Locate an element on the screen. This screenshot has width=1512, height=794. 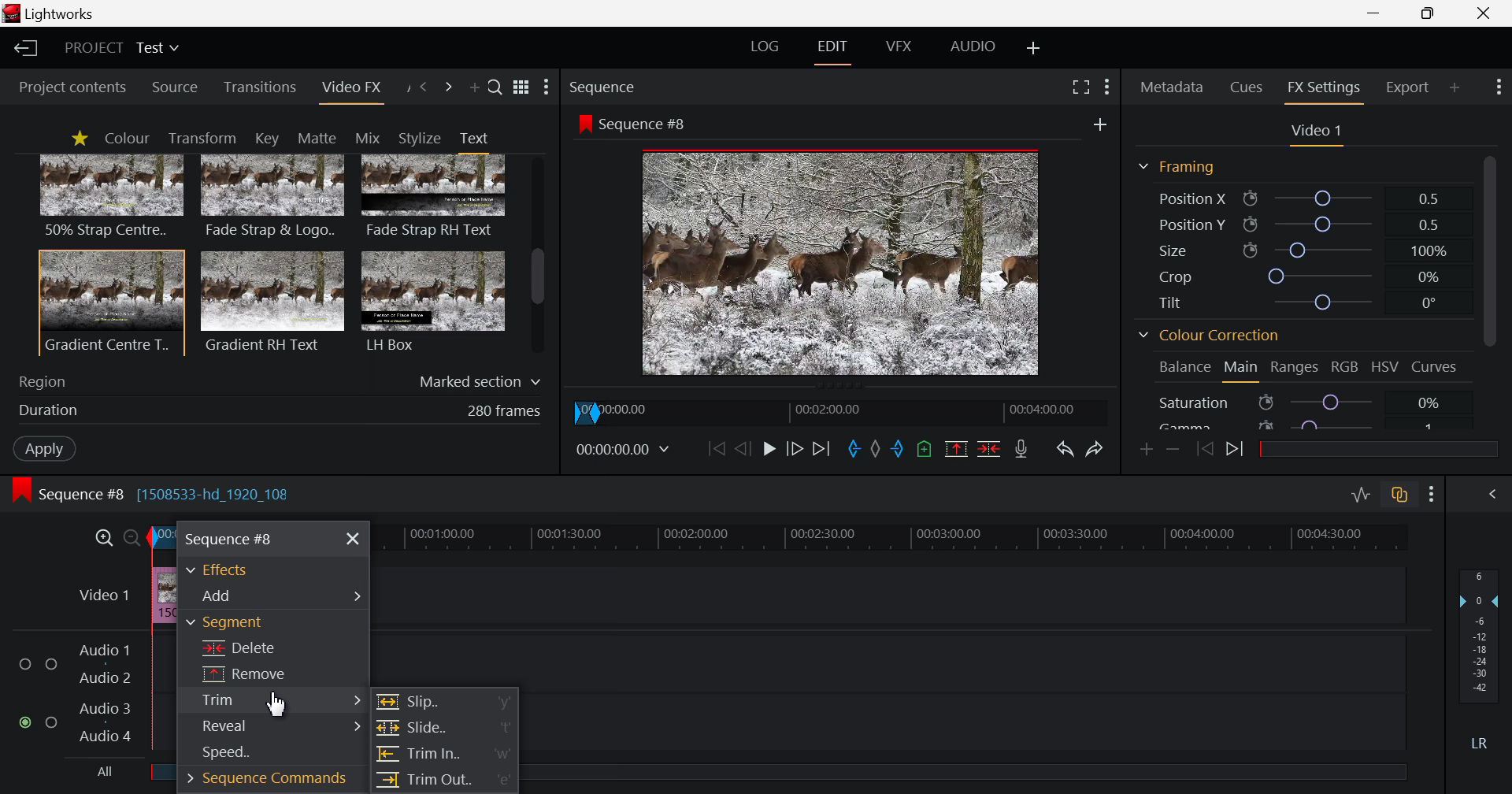
To End is located at coordinates (823, 448).